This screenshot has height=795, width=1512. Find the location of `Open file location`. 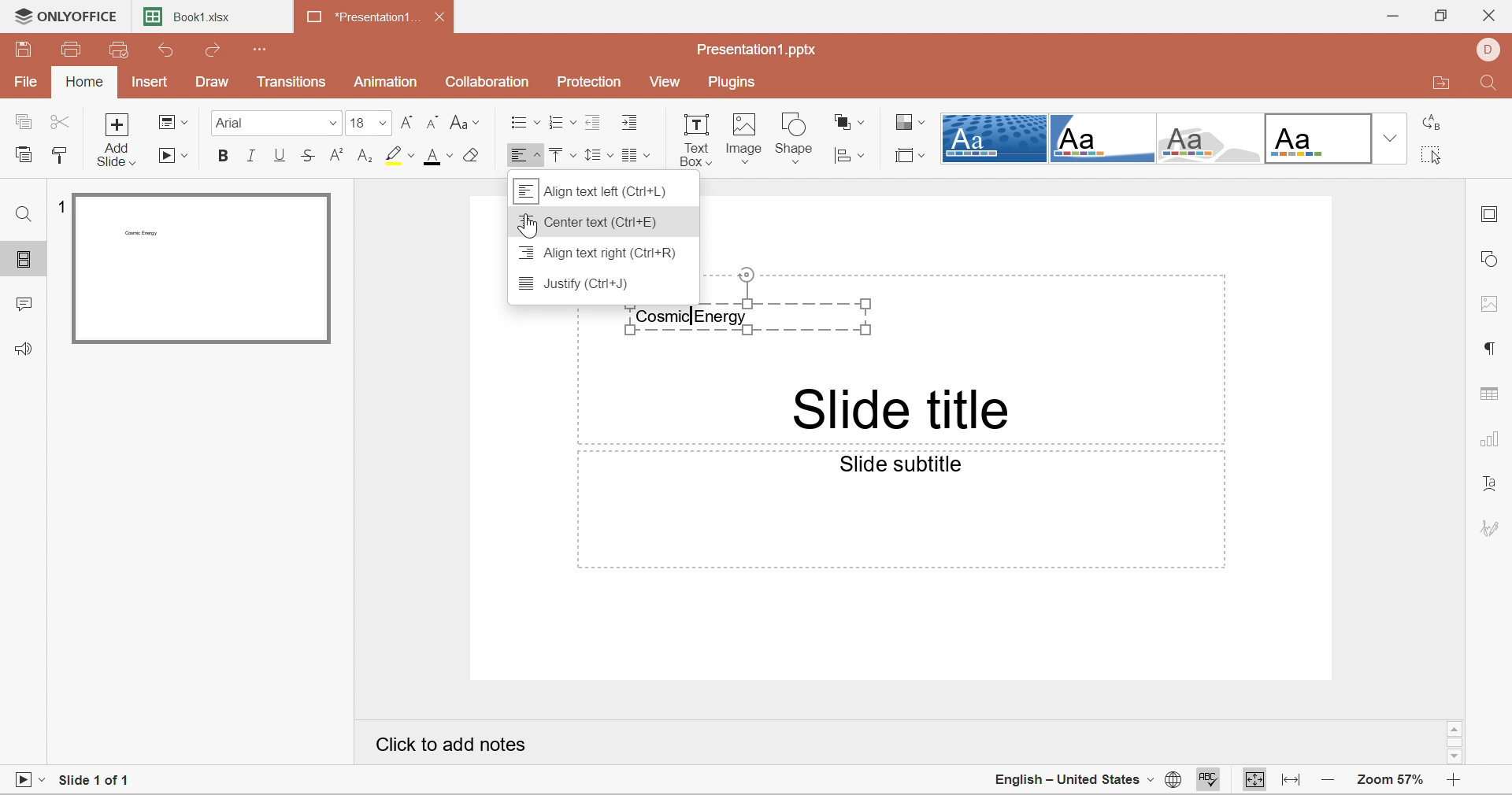

Open file location is located at coordinates (1442, 83).